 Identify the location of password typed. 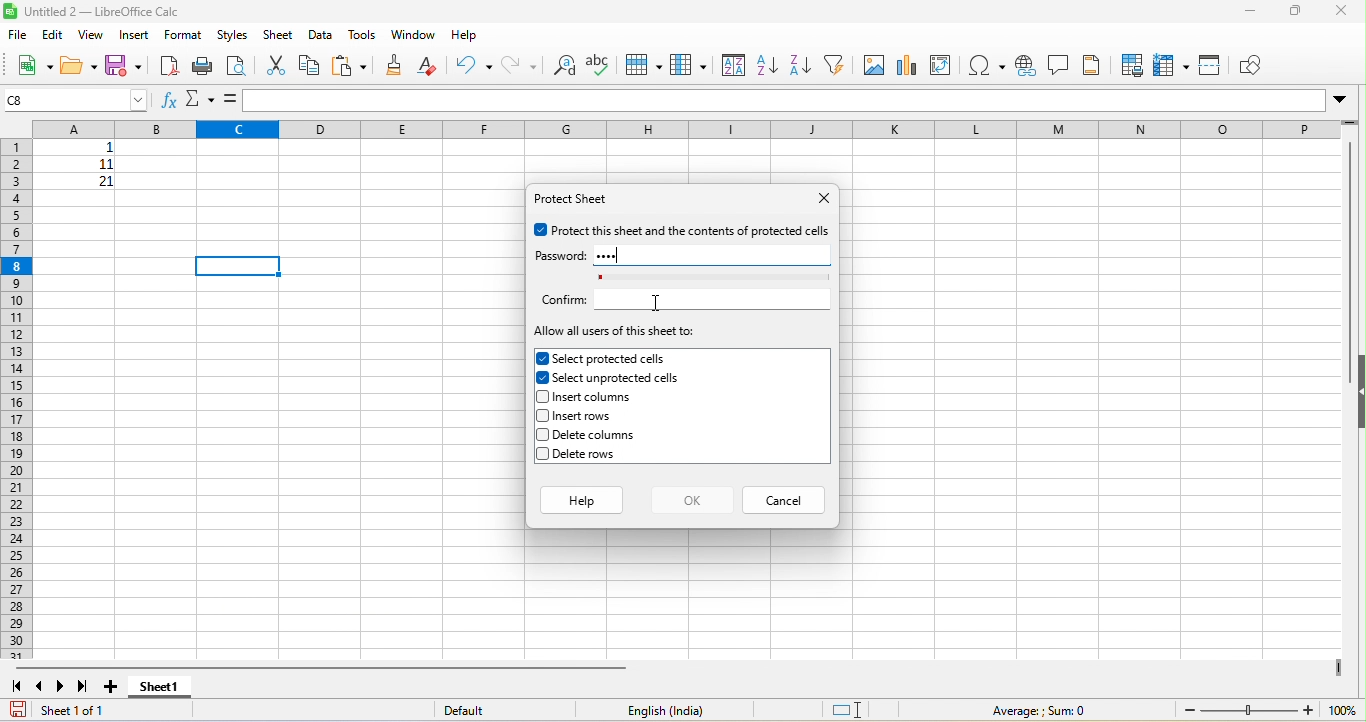
(612, 255).